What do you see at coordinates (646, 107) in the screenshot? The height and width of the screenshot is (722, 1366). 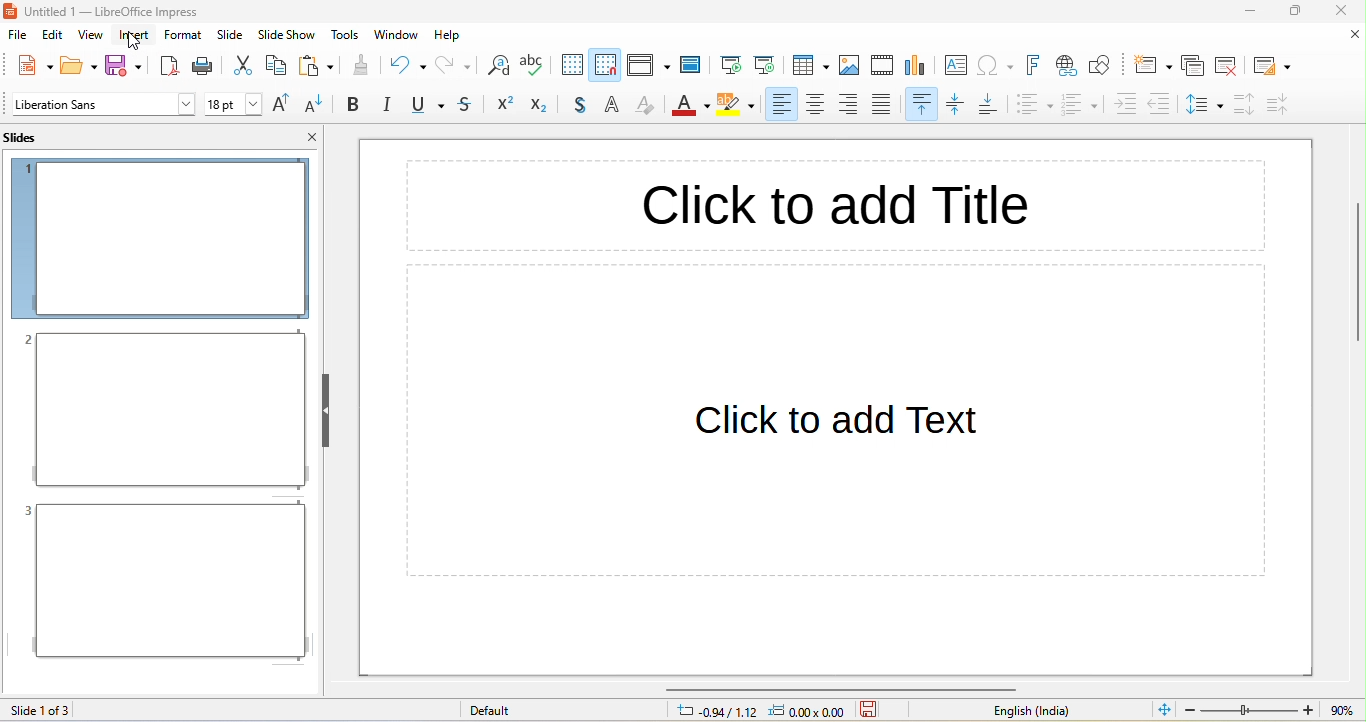 I see `clear direct formatting` at bounding box center [646, 107].